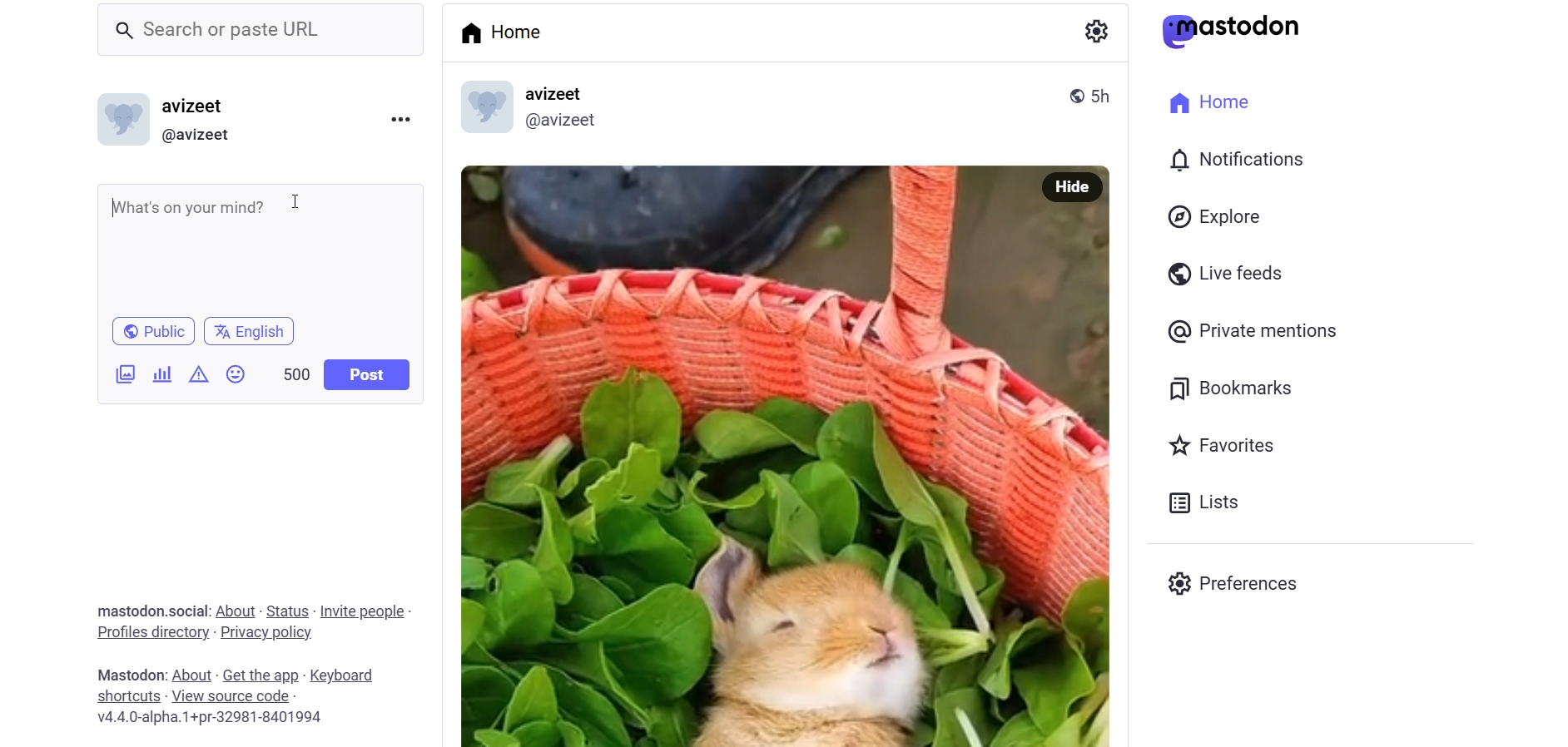 Image resolution: width=1568 pixels, height=747 pixels. Describe the element at coordinates (149, 331) in the screenshot. I see `public` at that location.